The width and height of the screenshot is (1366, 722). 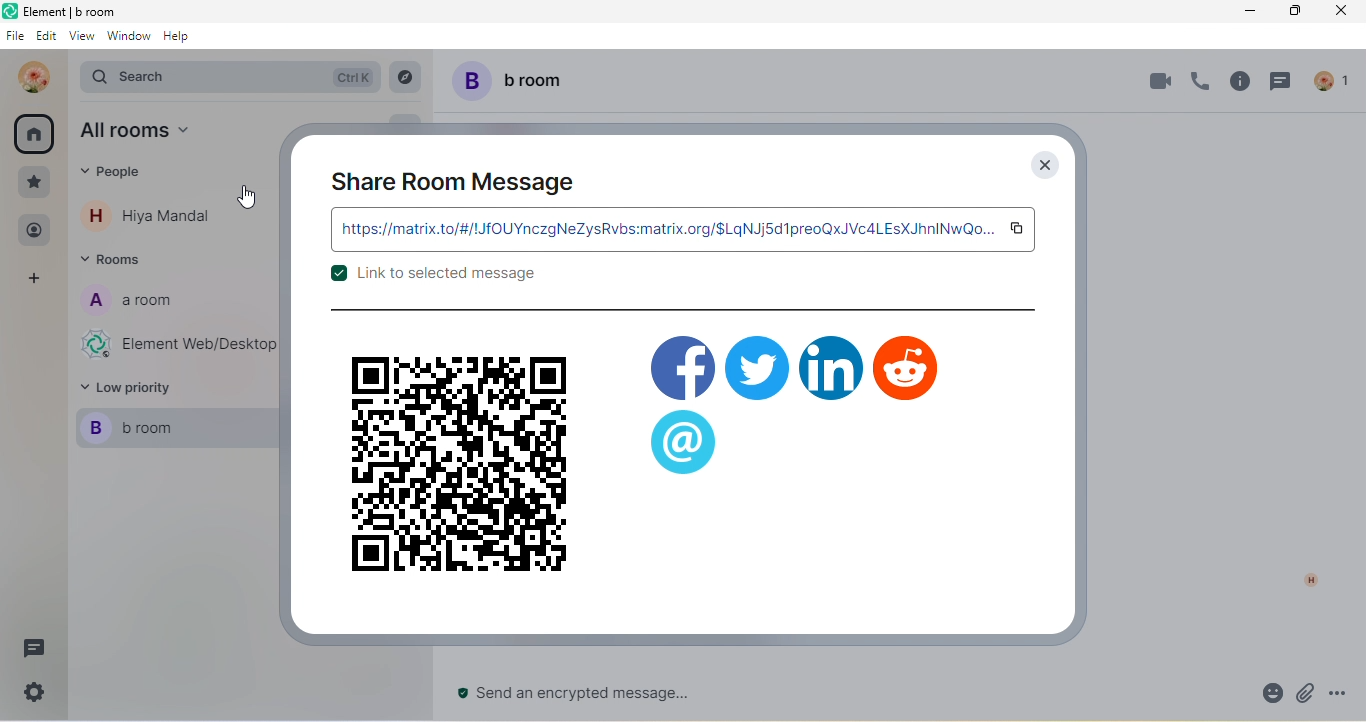 What do you see at coordinates (432, 279) in the screenshot?
I see `link to selected message` at bounding box center [432, 279].